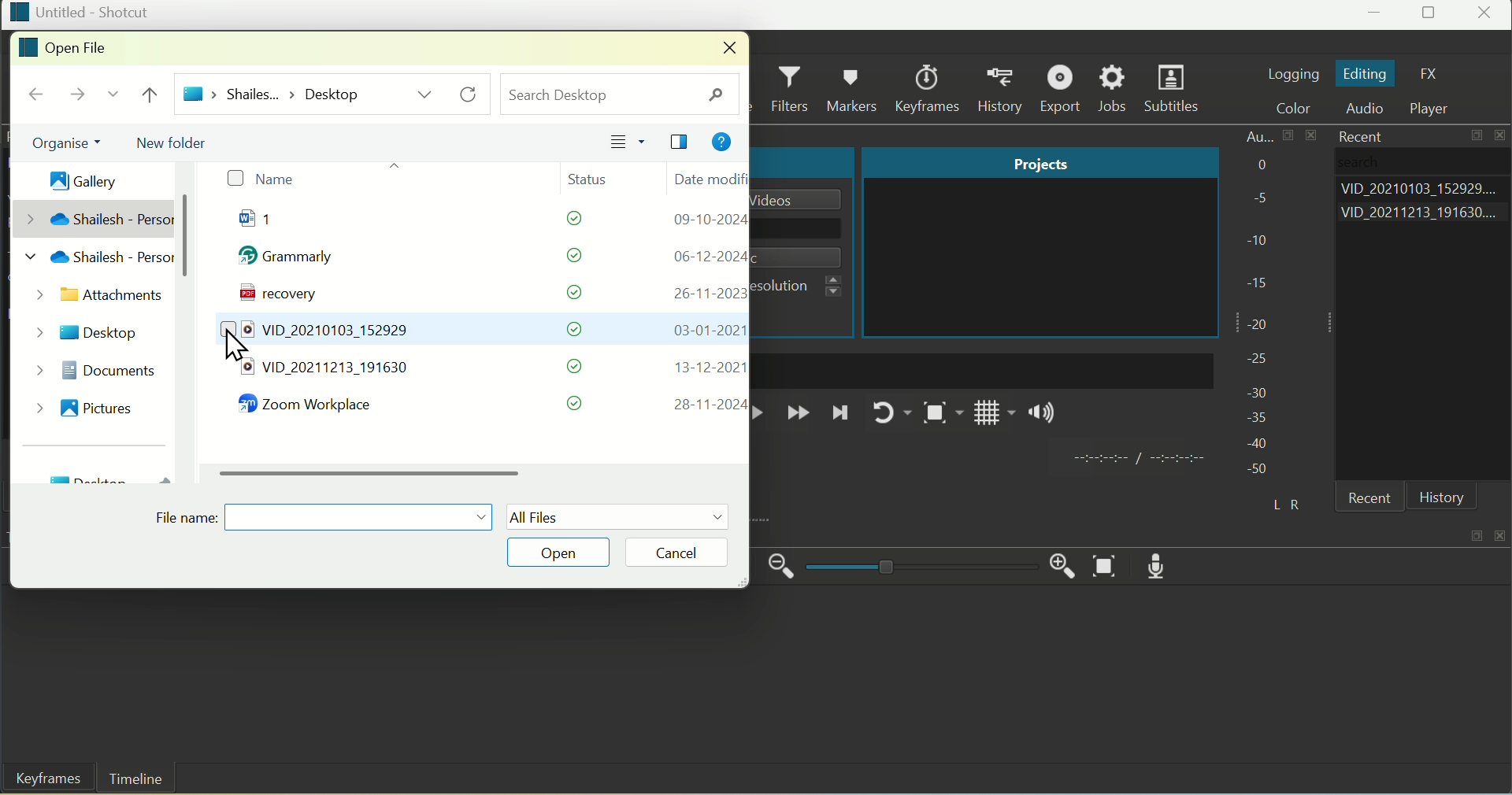 The height and width of the screenshot is (795, 1512). What do you see at coordinates (1366, 74) in the screenshot?
I see `Editing` at bounding box center [1366, 74].